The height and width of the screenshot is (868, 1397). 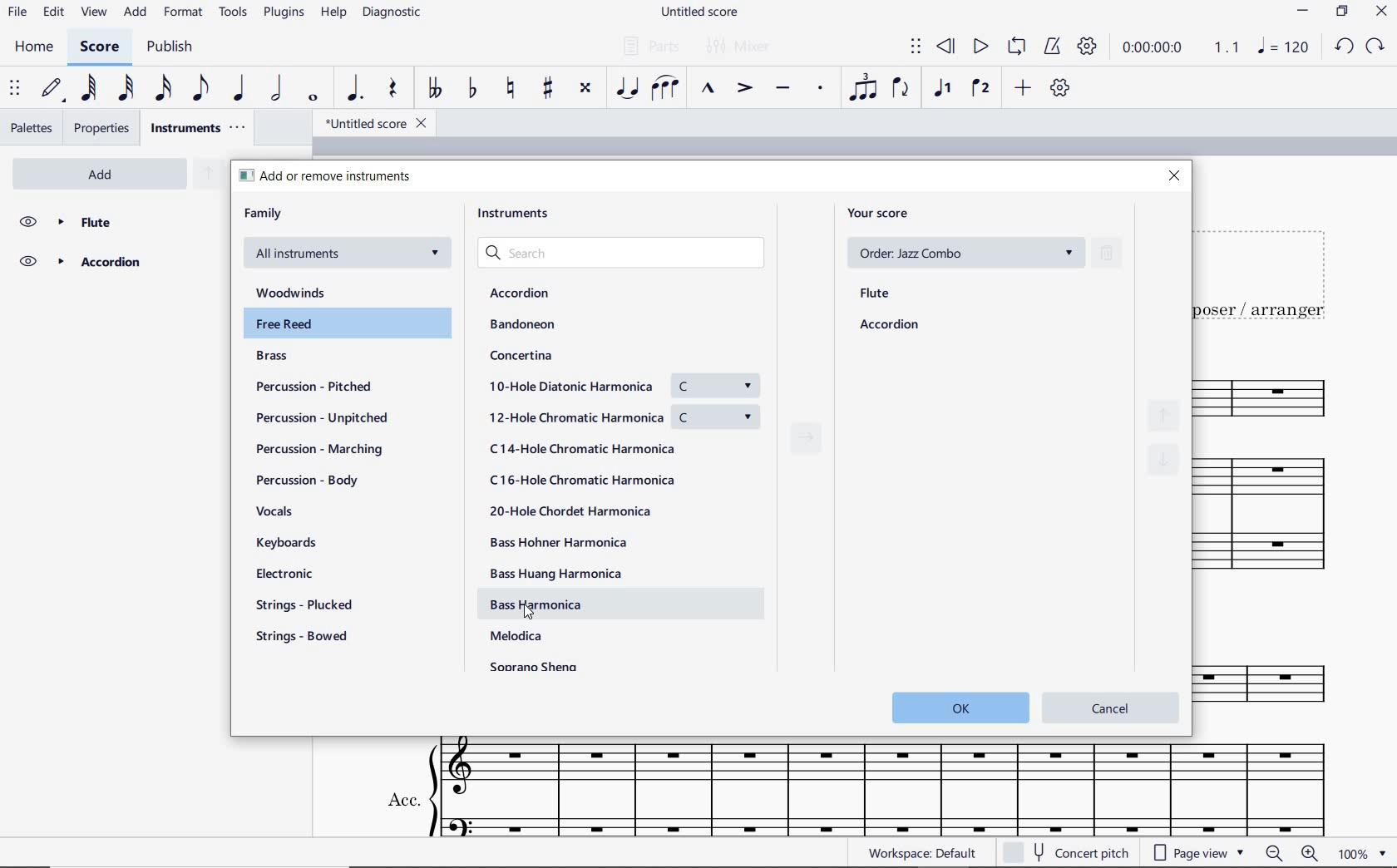 What do you see at coordinates (542, 668) in the screenshot?
I see `Soprano sheng` at bounding box center [542, 668].